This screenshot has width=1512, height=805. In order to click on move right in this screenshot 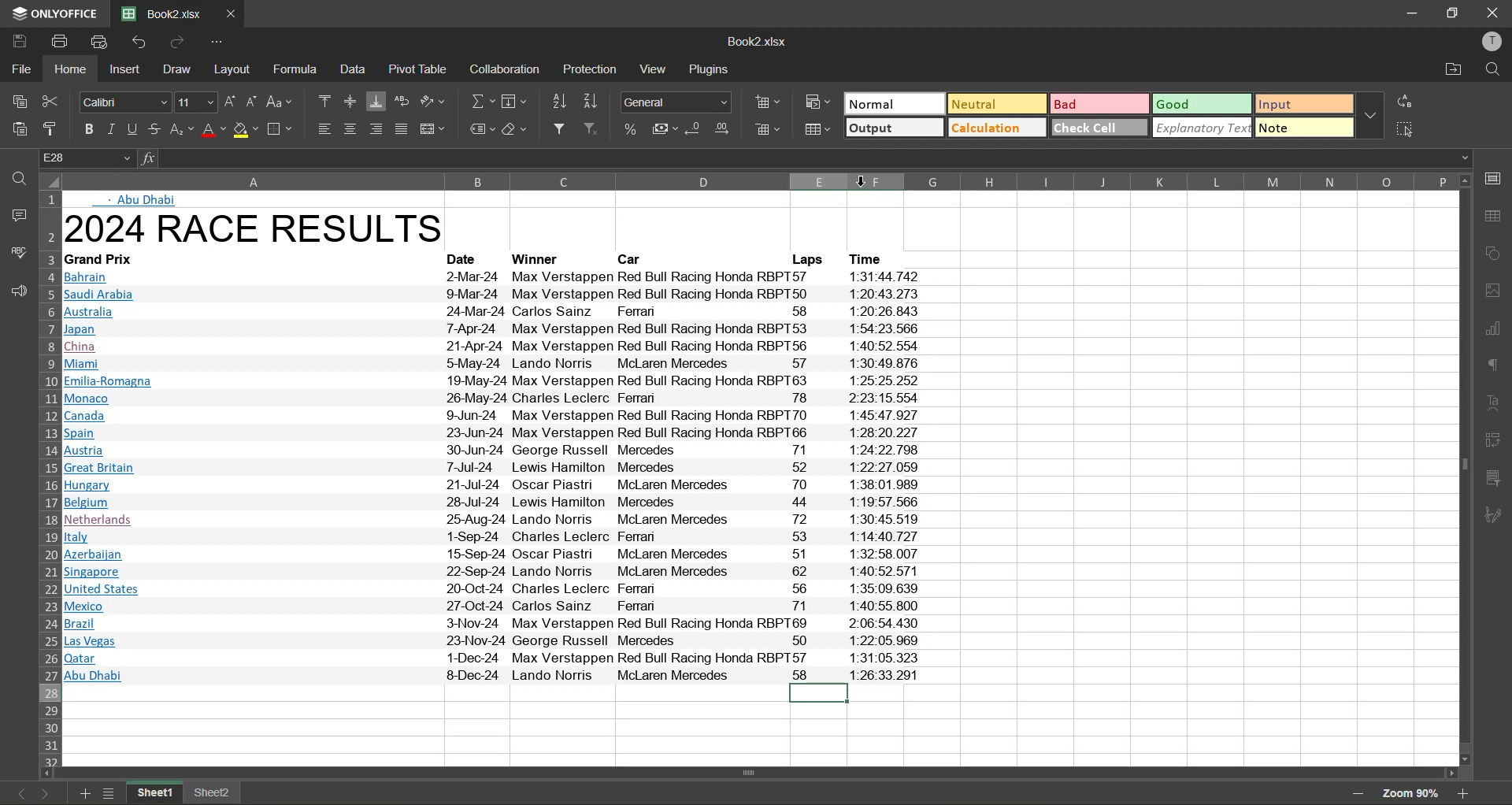, I will do `click(1454, 774)`.